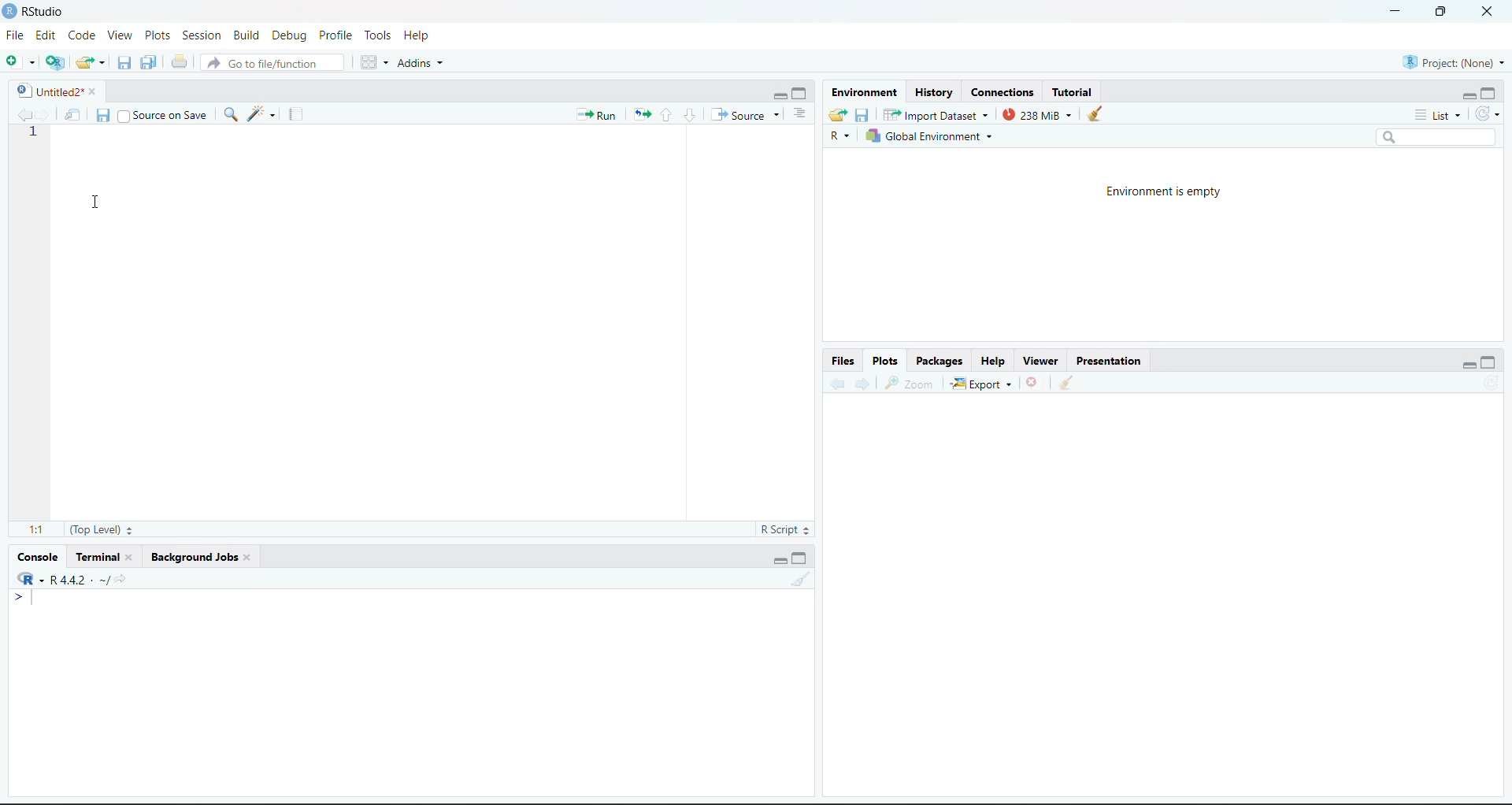 This screenshot has width=1512, height=805. What do you see at coordinates (1453, 63) in the screenshot?
I see `Project (None)` at bounding box center [1453, 63].